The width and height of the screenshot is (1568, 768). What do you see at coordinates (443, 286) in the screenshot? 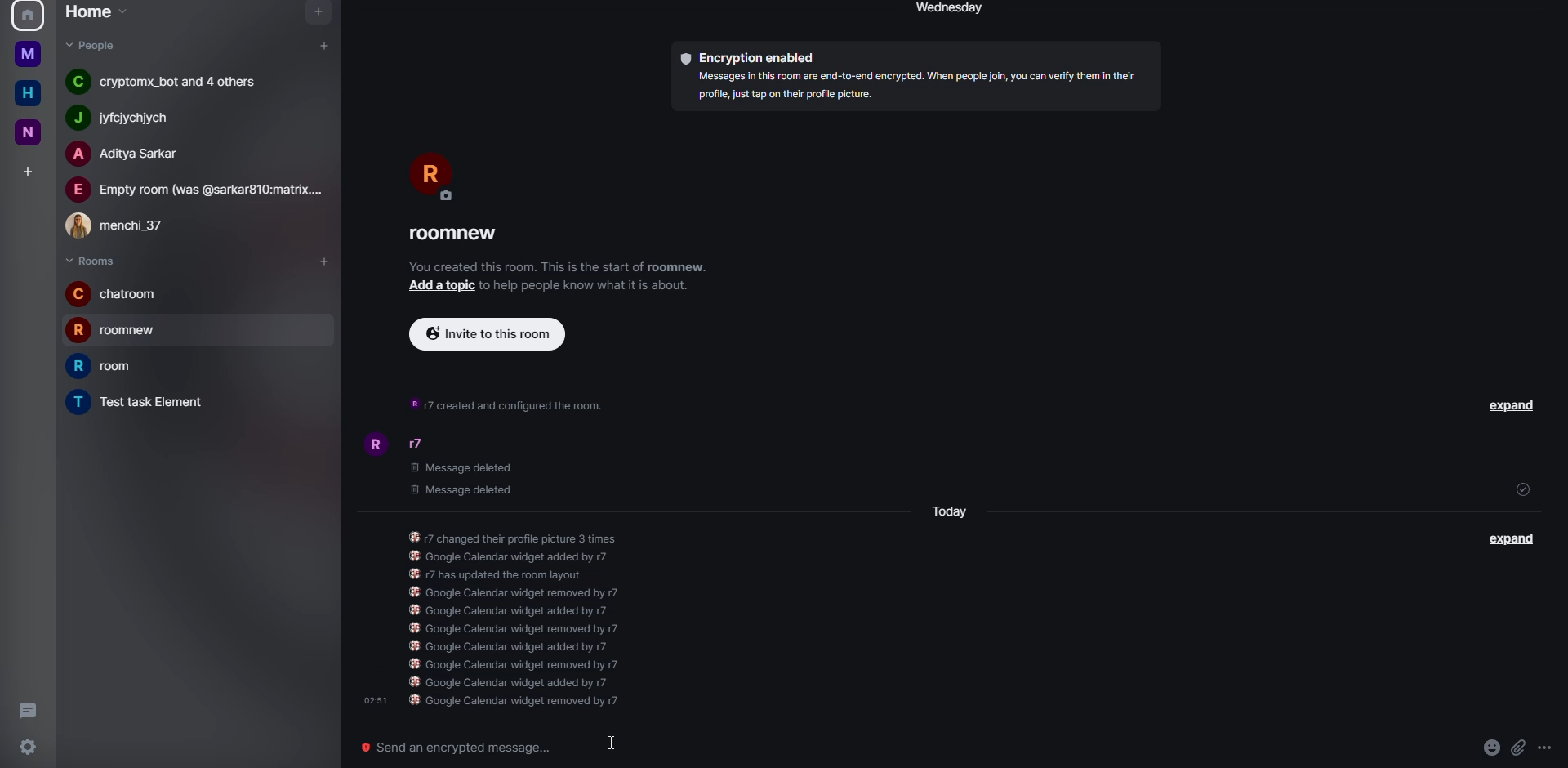
I see `add` at bounding box center [443, 286].